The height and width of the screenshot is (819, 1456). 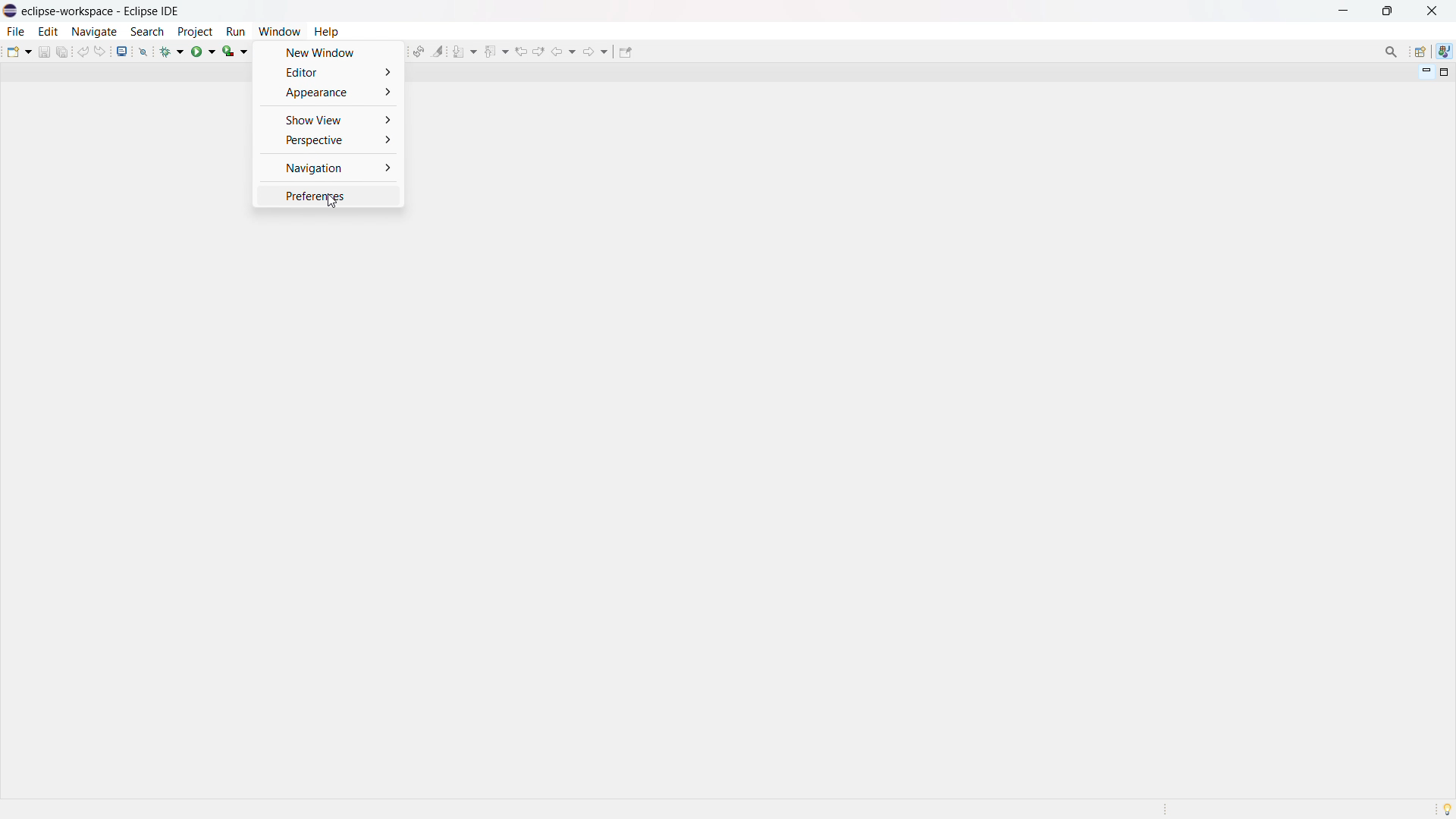 What do you see at coordinates (121, 52) in the screenshot?
I see `open console` at bounding box center [121, 52].